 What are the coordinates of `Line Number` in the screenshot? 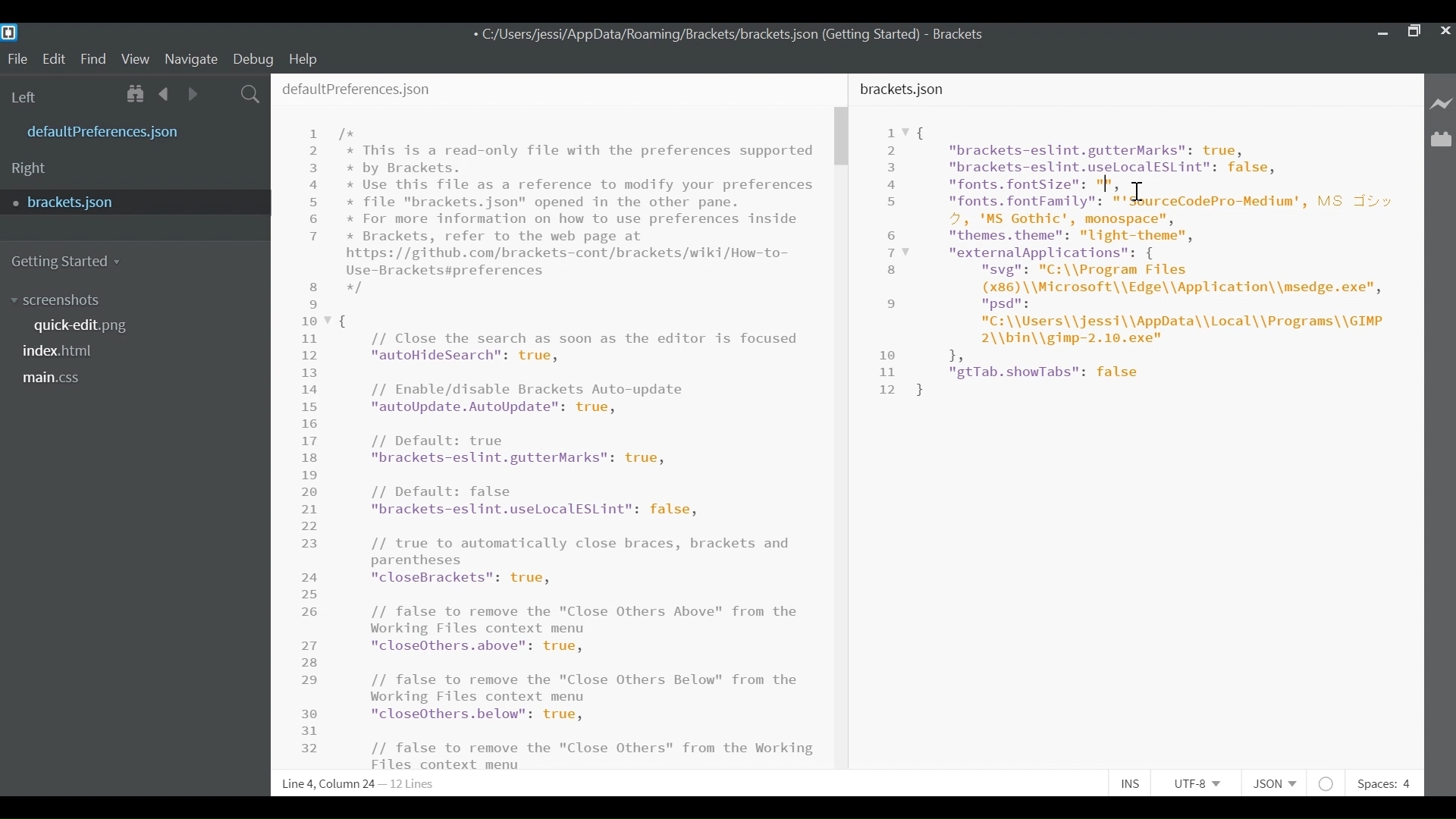 It's located at (891, 261).